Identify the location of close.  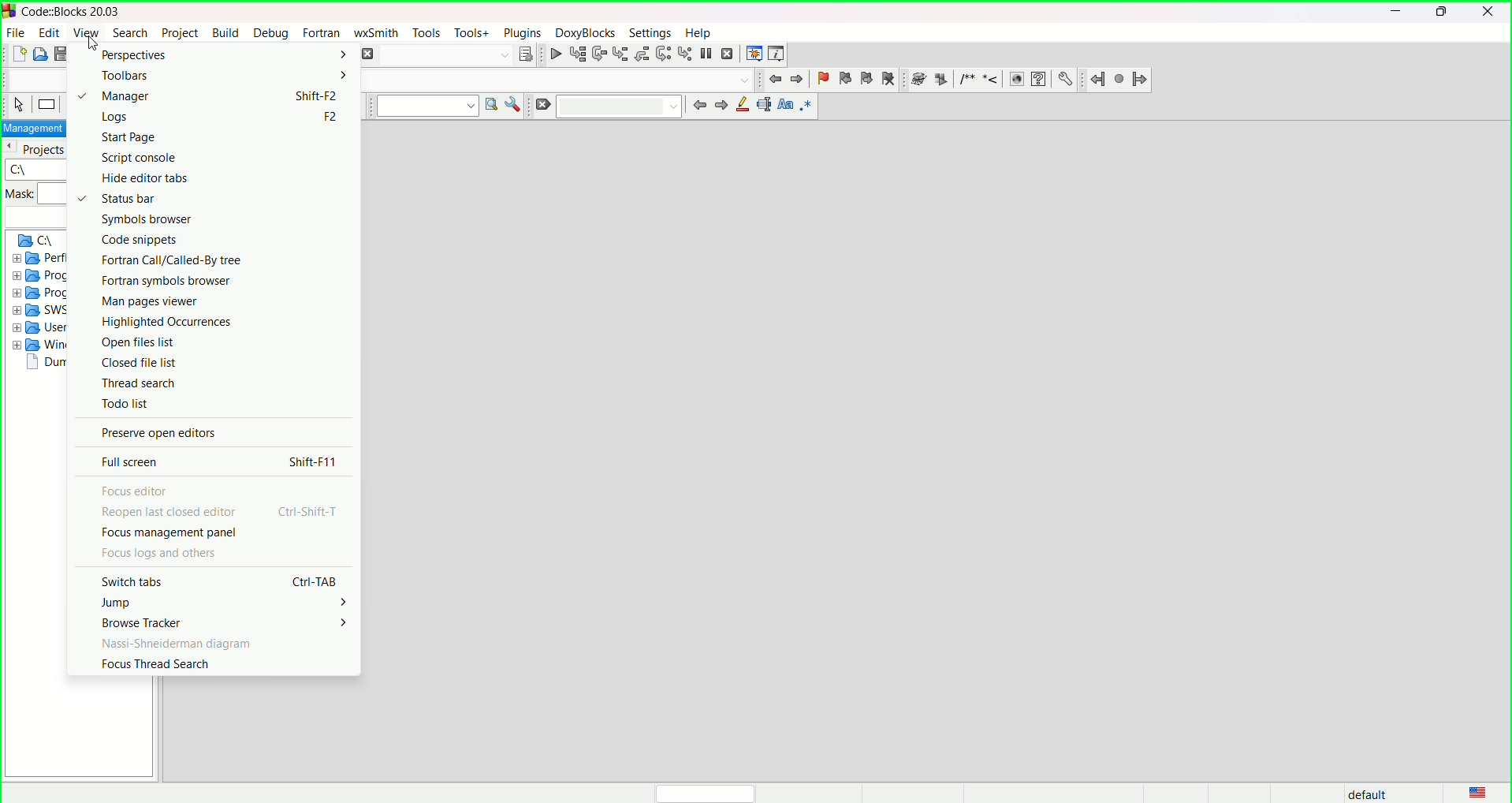
(1489, 13).